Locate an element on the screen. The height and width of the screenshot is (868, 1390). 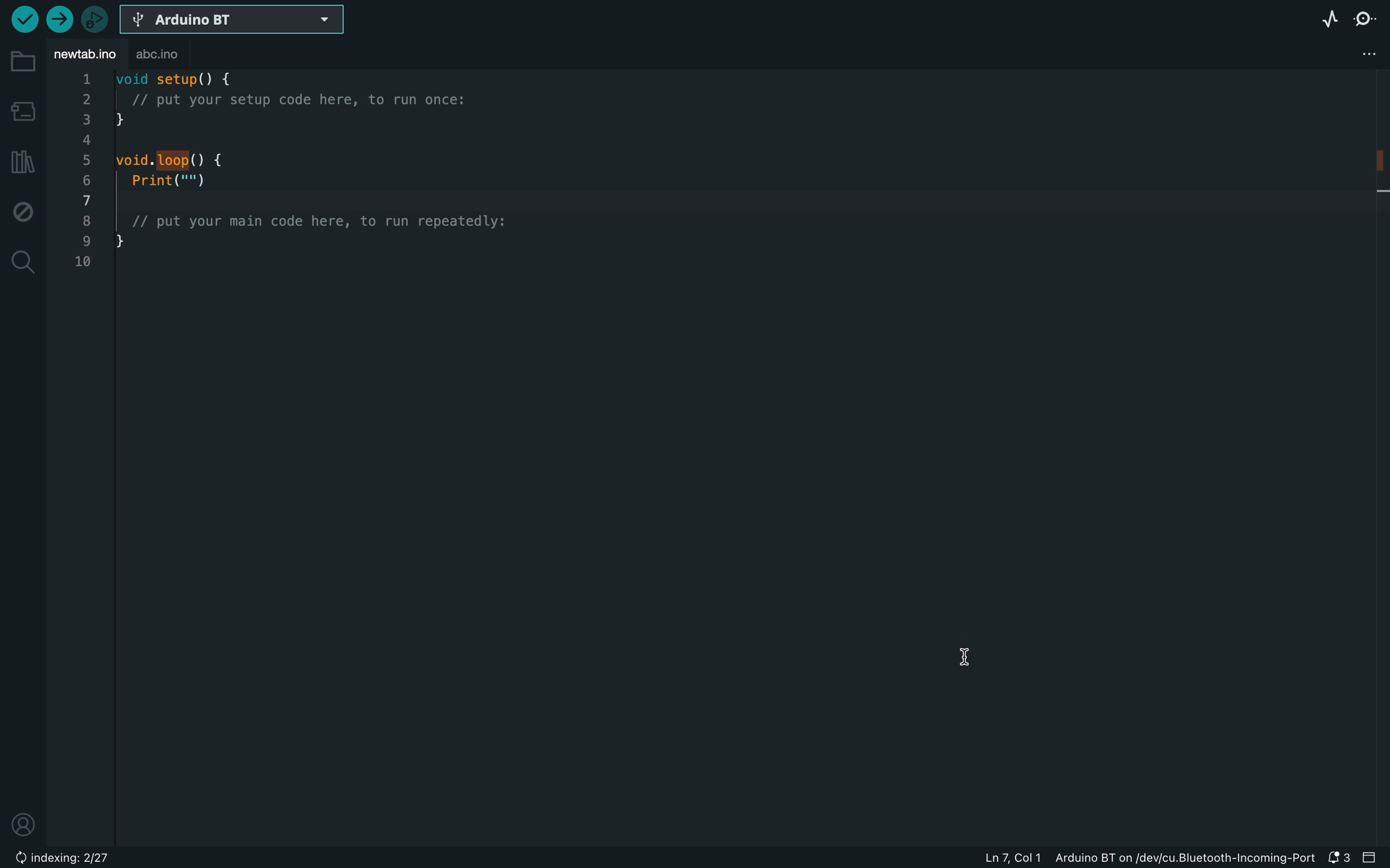
upload is located at coordinates (56, 21).